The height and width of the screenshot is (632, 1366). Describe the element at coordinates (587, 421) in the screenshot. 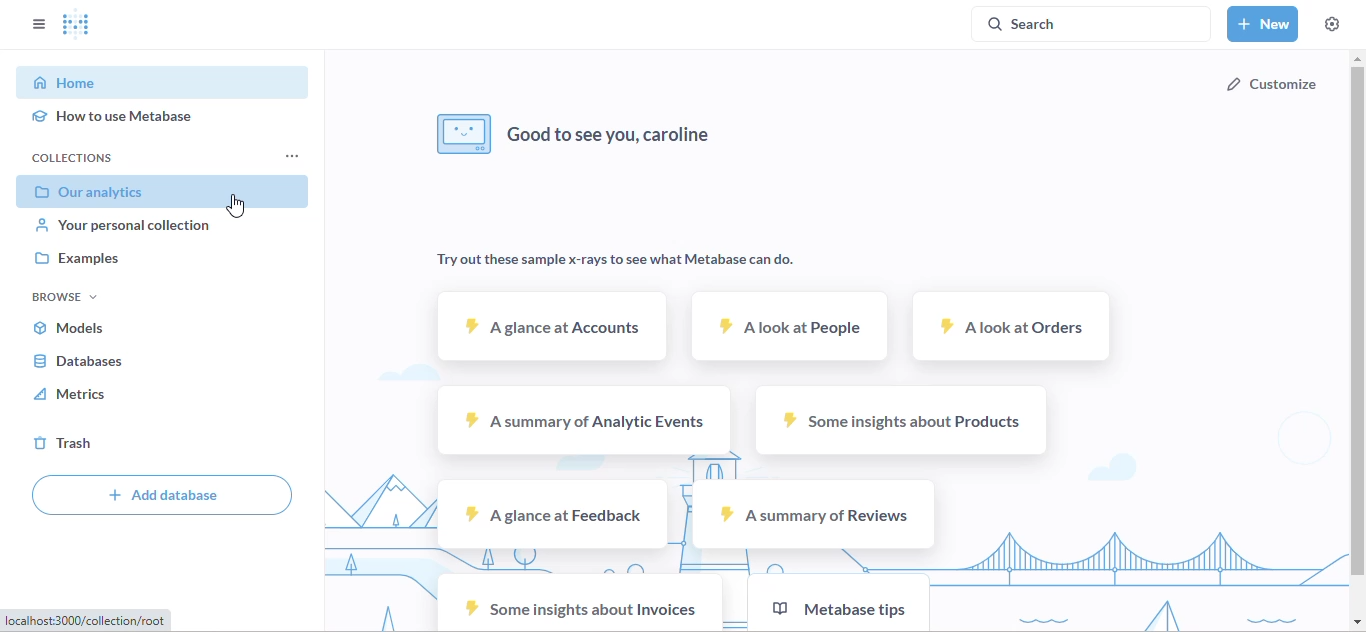

I see `a summary of analytic events` at that location.